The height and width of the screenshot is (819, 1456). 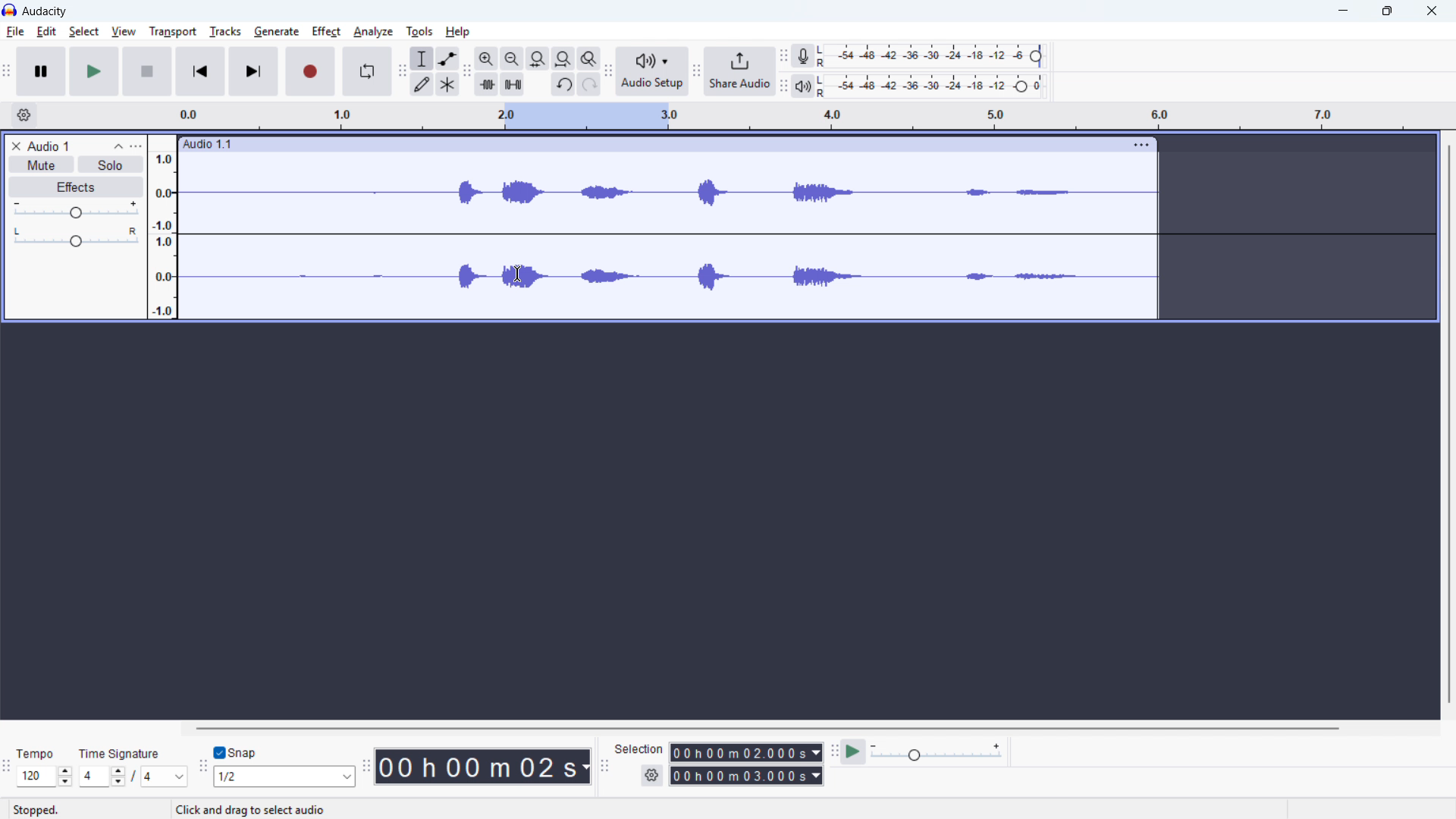 What do you see at coordinates (24, 116) in the screenshot?
I see `Timeline settings` at bounding box center [24, 116].